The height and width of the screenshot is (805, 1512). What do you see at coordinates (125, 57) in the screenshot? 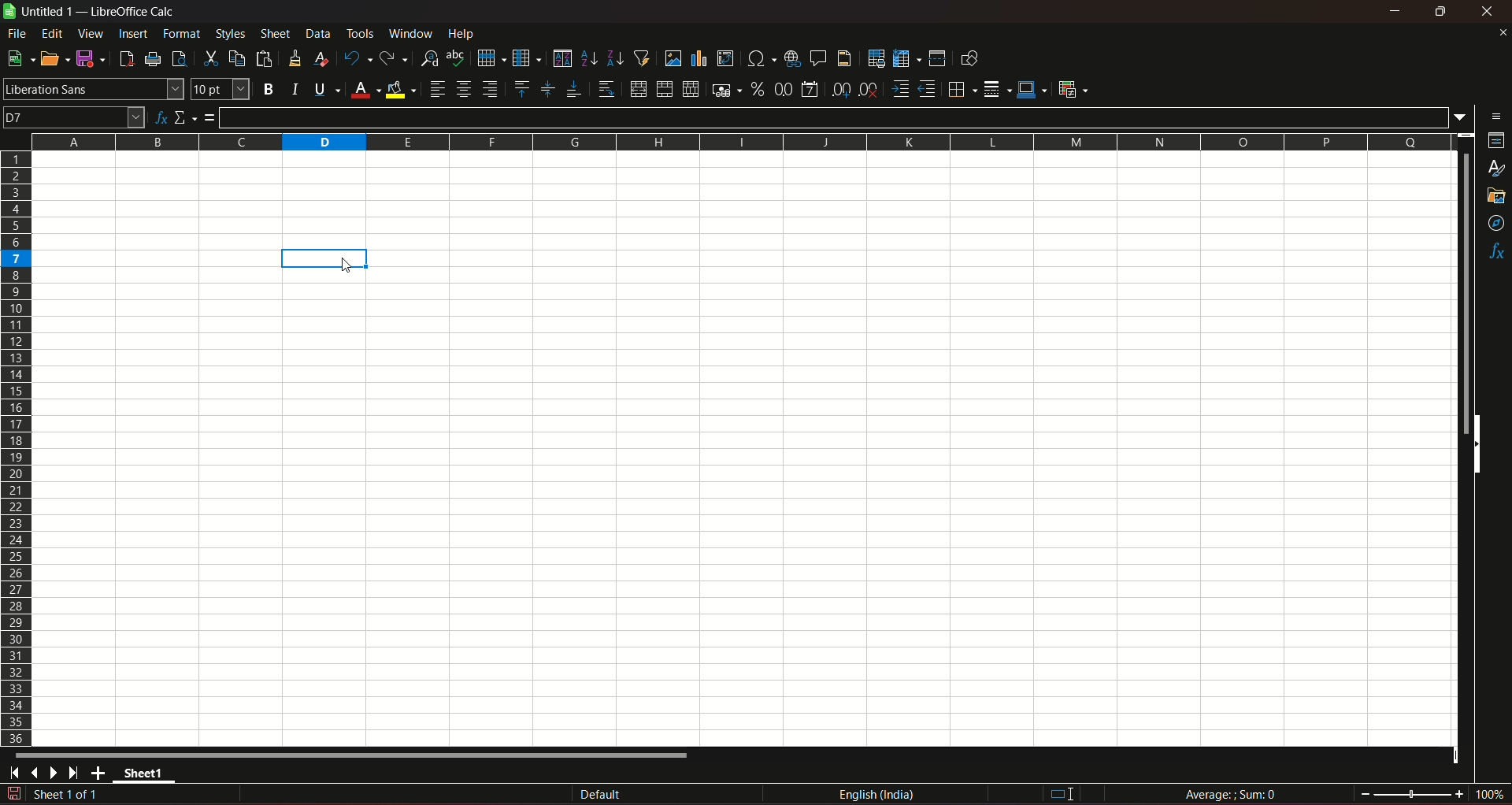
I see `export directly as PDF` at bounding box center [125, 57].